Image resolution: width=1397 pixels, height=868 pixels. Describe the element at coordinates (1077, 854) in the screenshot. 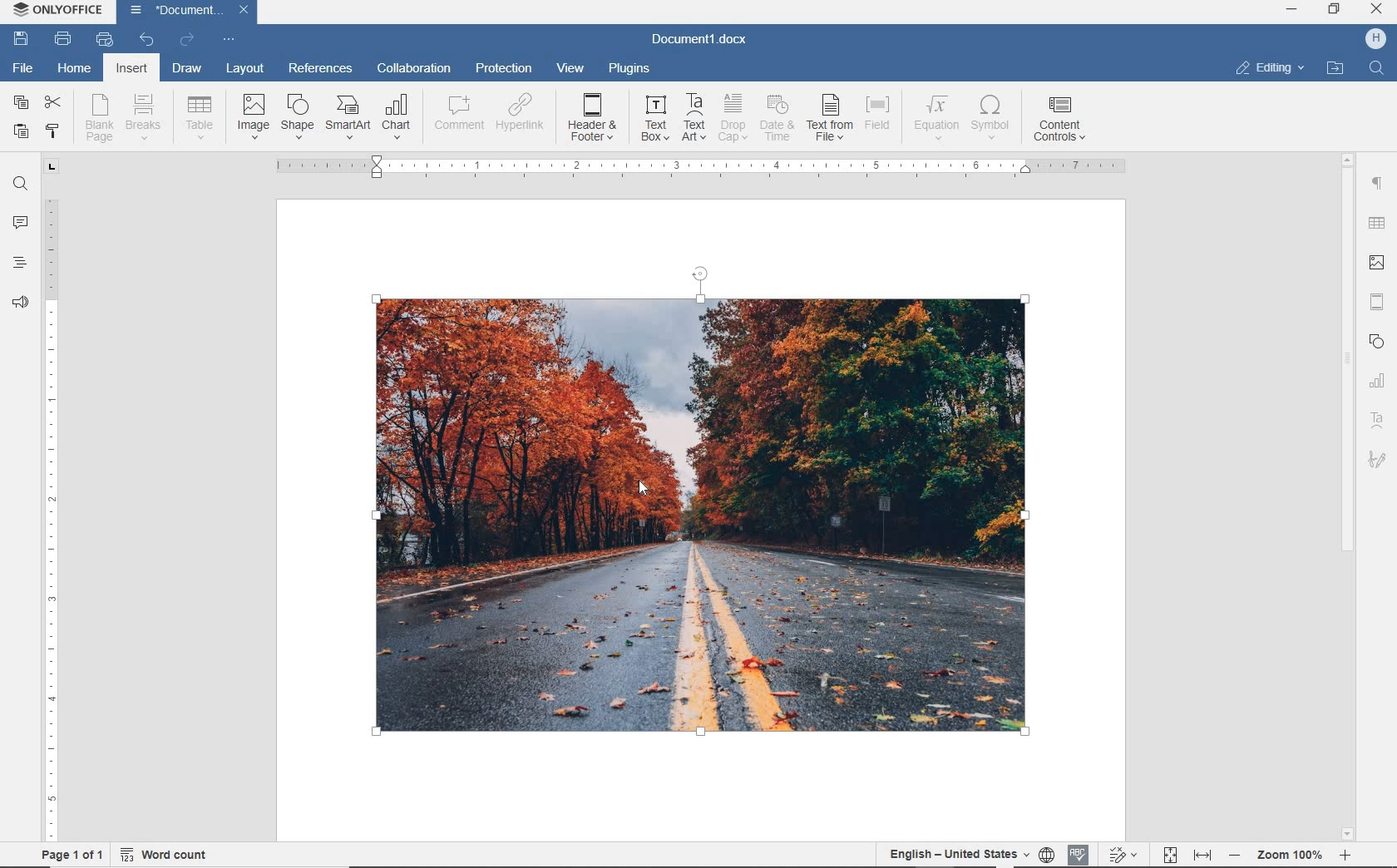

I see `spell checking` at that location.